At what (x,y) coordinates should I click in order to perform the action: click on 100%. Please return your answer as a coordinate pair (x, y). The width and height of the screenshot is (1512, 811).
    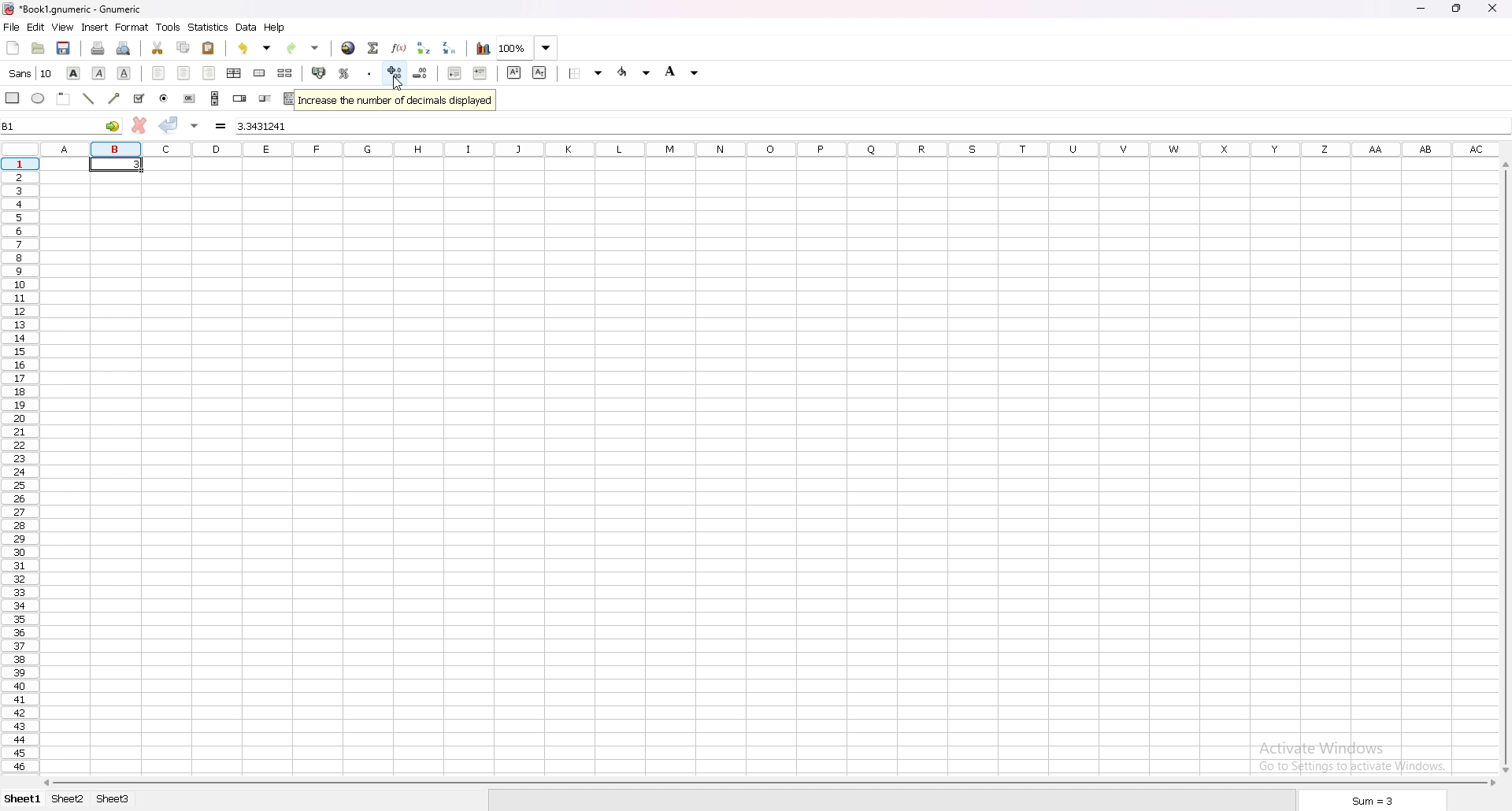
    Looking at the image, I should click on (528, 47).